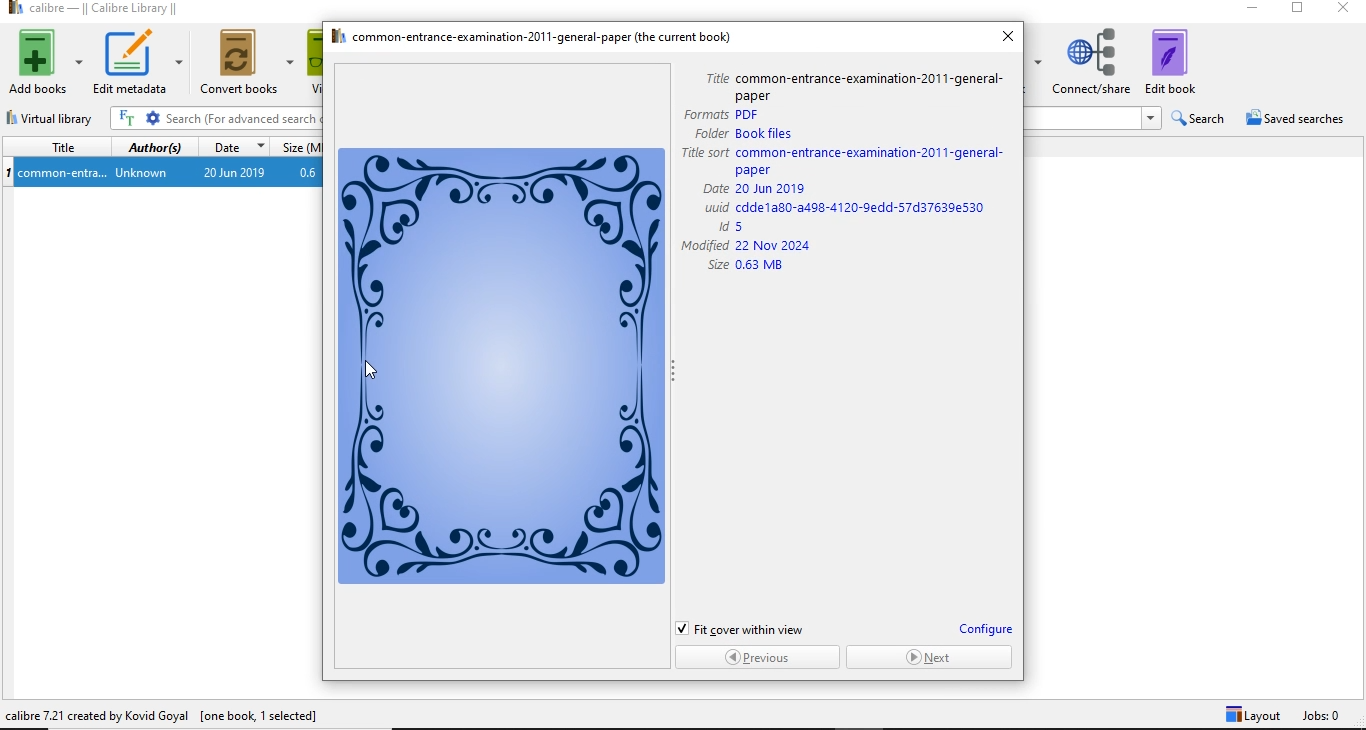 This screenshot has width=1366, height=730. What do you see at coordinates (58, 147) in the screenshot?
I see `title` at bounding box center [58, 147].